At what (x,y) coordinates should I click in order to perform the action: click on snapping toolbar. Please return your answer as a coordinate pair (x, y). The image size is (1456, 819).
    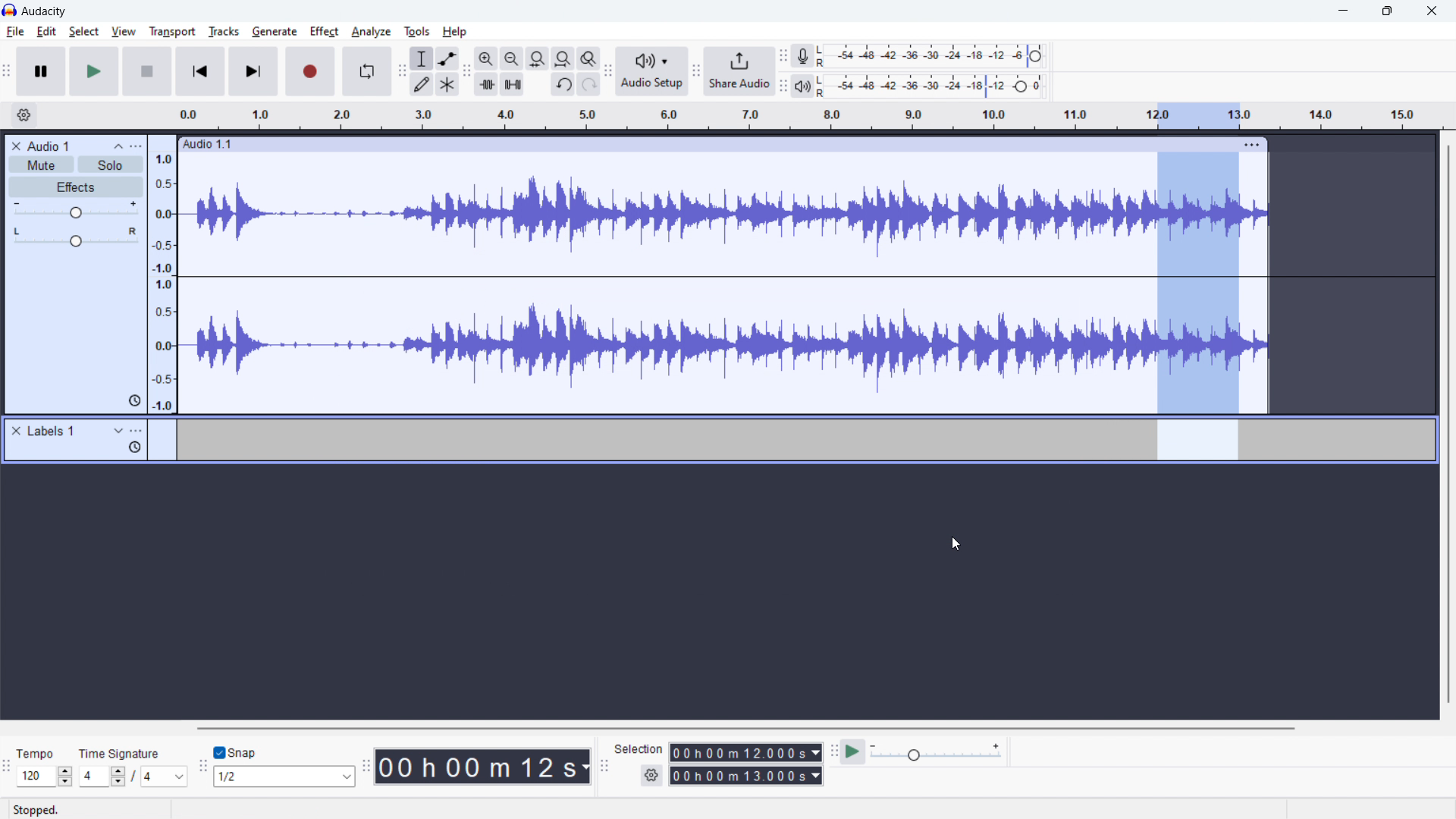
    Looking at the image, I should click on (203, 768).